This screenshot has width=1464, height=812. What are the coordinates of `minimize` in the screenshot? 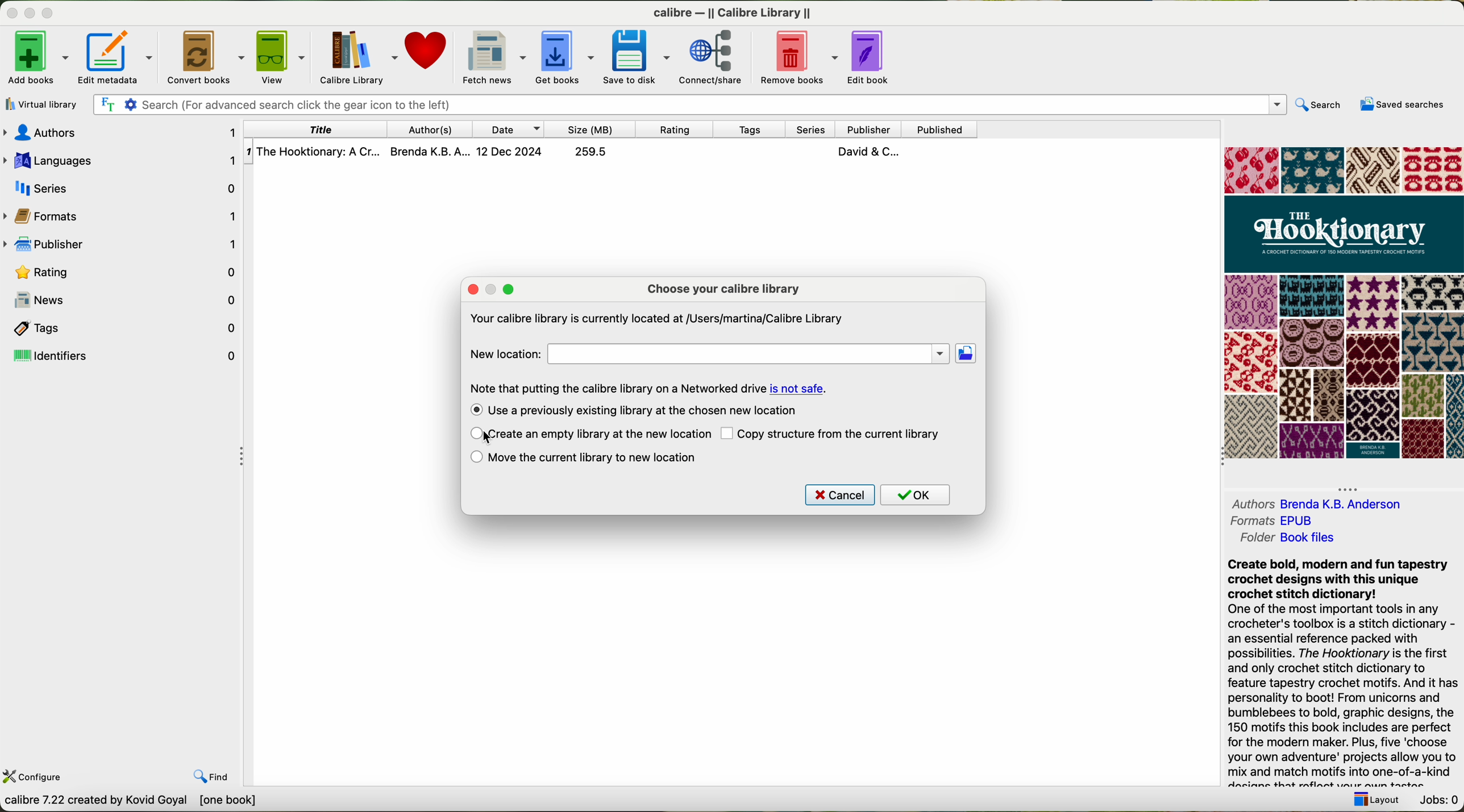 It's located at (30, 13).